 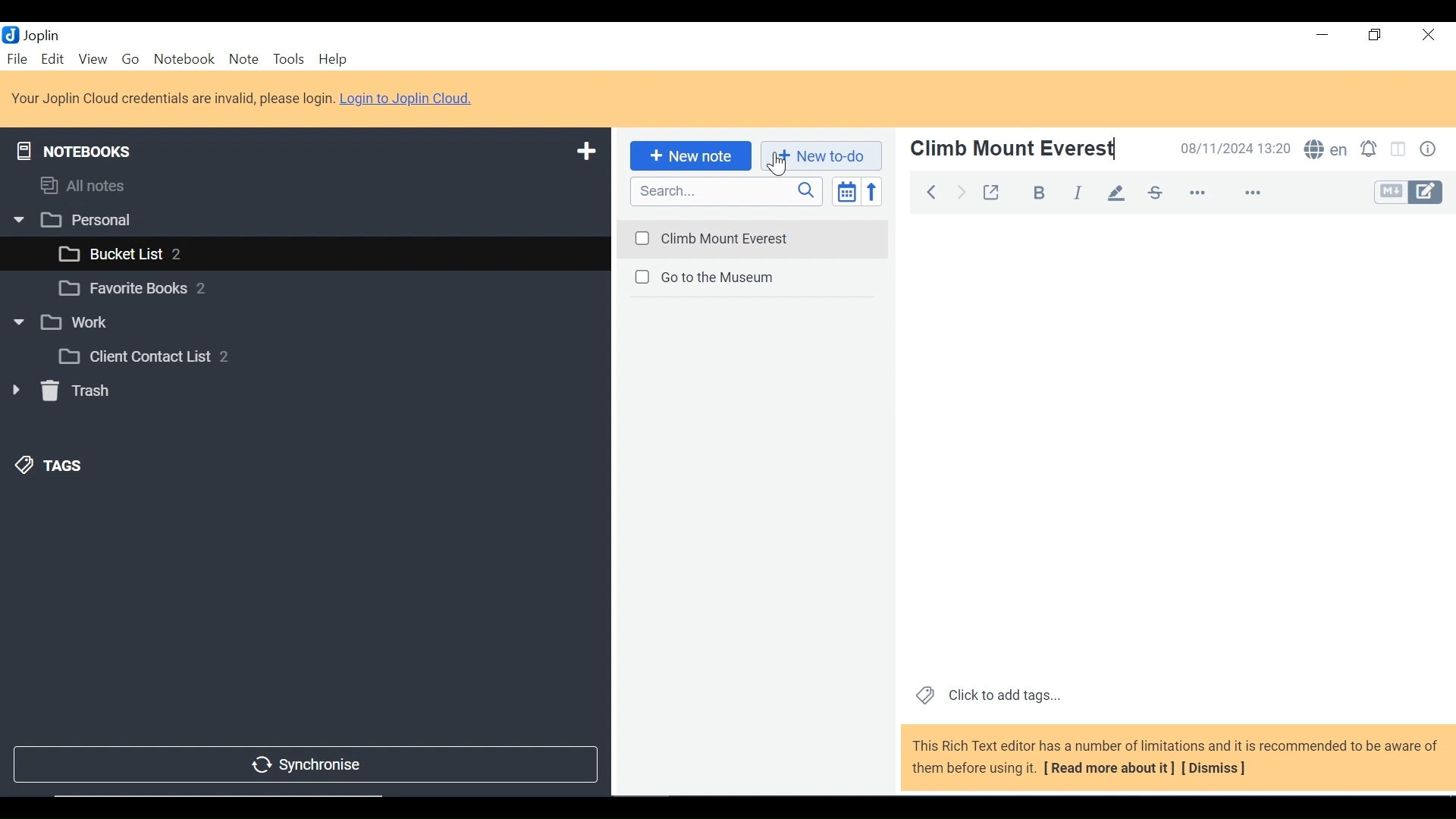 What do you see at coordinates (774, 165) in the screenshot?
I see `cursor` at bounding box center [774, 165].